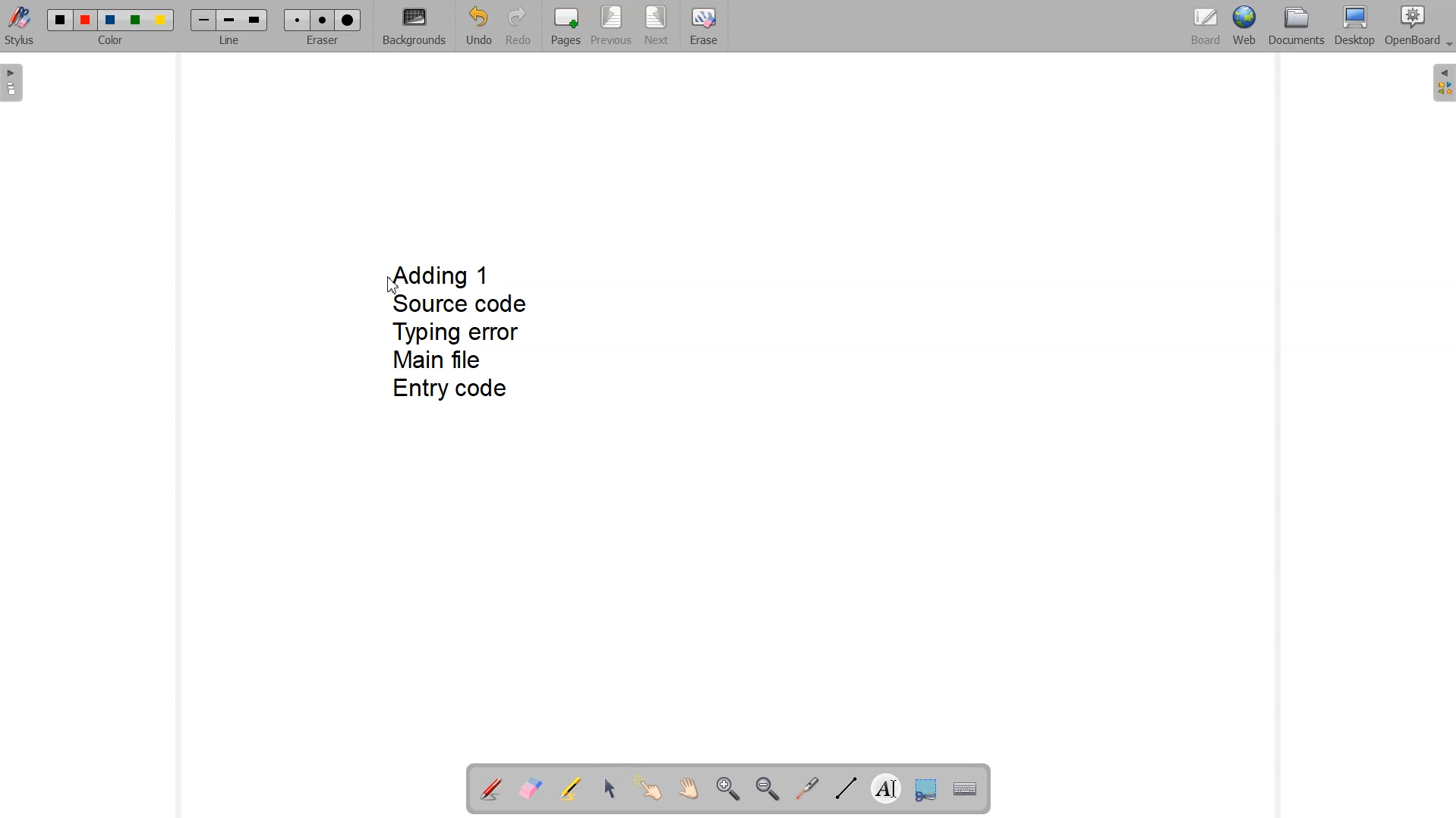 The image size is (1456, 818). I want to click on Line, so click(230, 41).